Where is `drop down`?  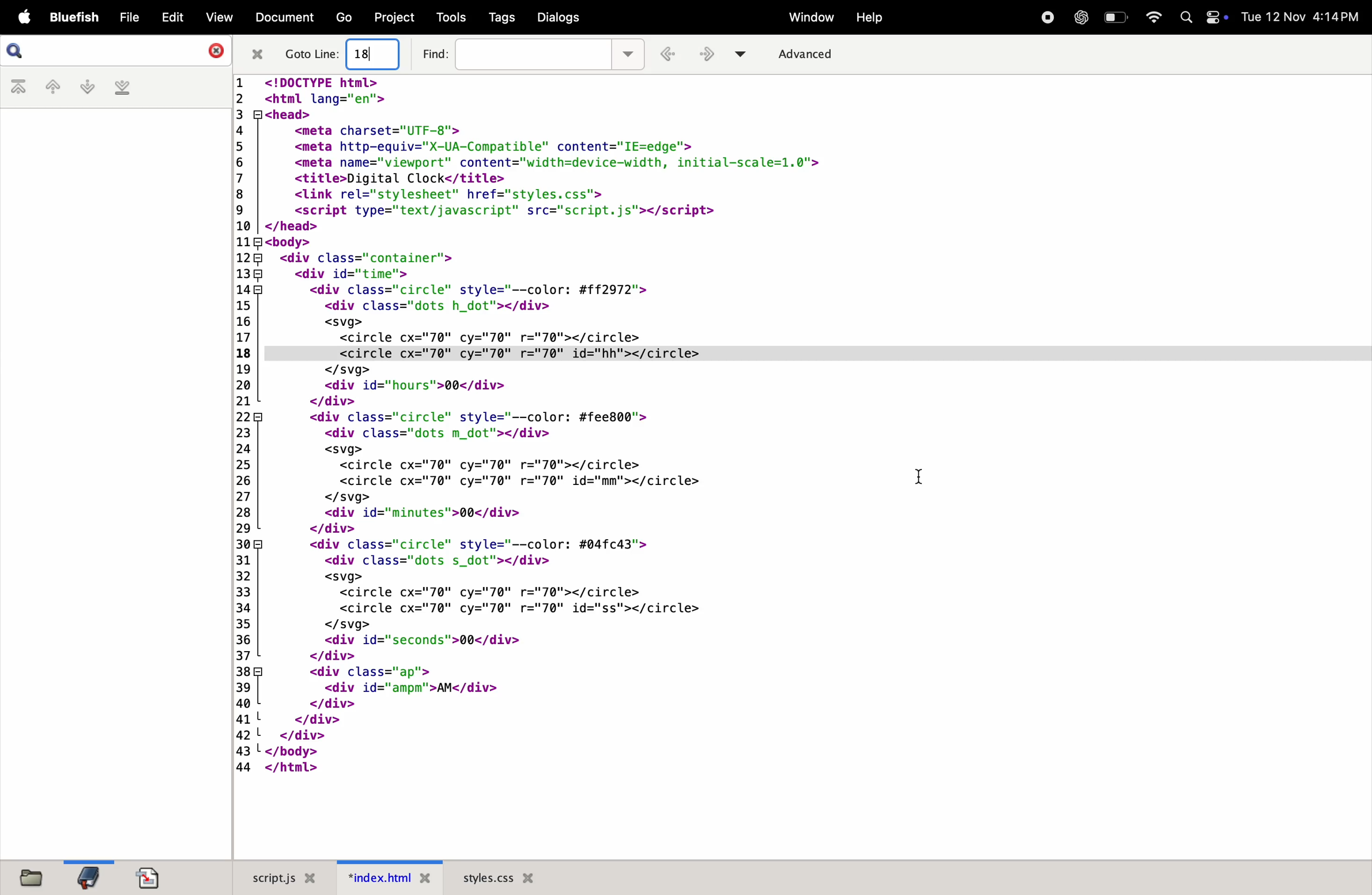 drop down is located at coordinates (745, 53).